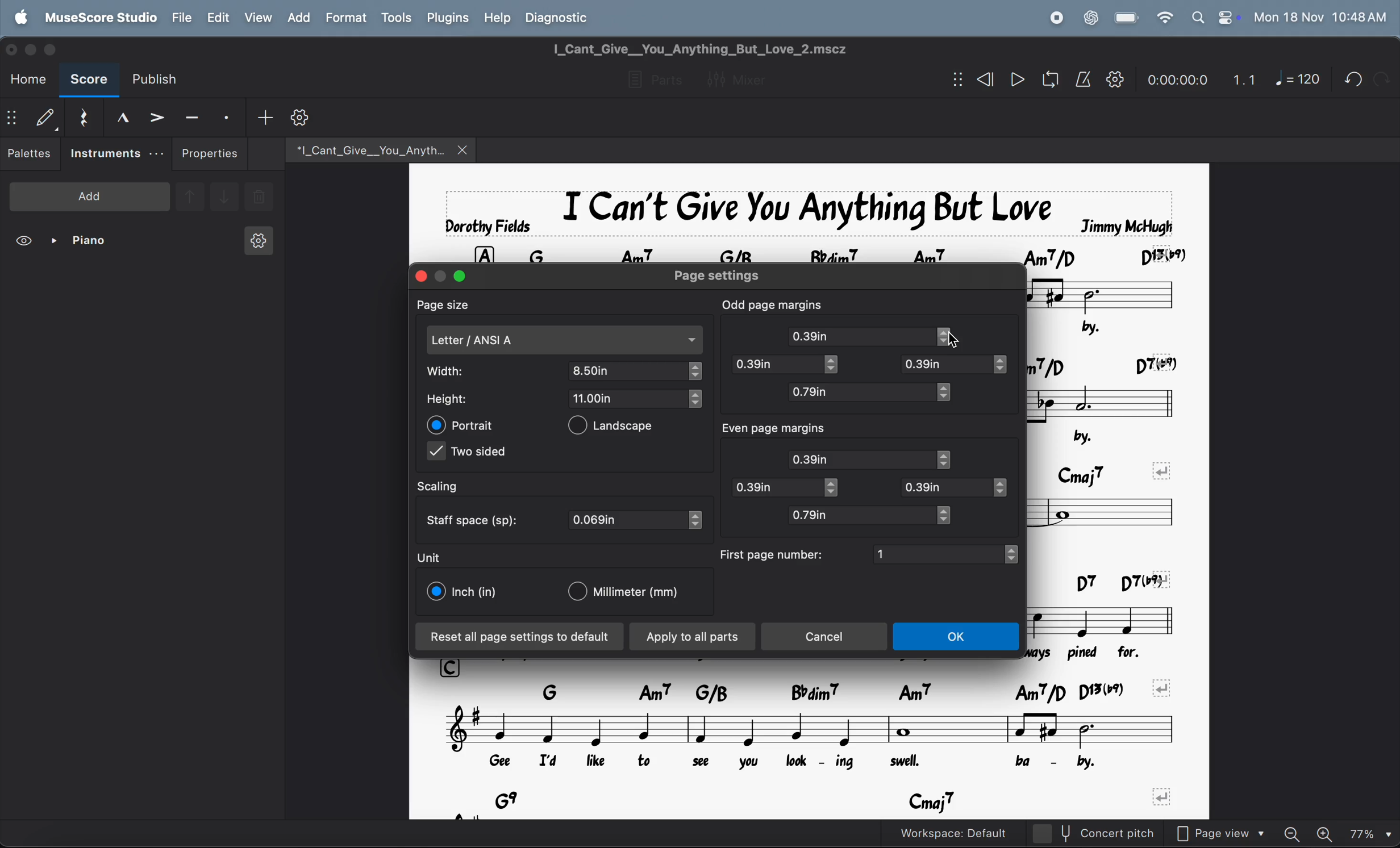 This screenshot has width=1400, height=848. What do you see at coordinates (45, 117) in the screenshot?
I see `display` at bounding box center [45, 117].